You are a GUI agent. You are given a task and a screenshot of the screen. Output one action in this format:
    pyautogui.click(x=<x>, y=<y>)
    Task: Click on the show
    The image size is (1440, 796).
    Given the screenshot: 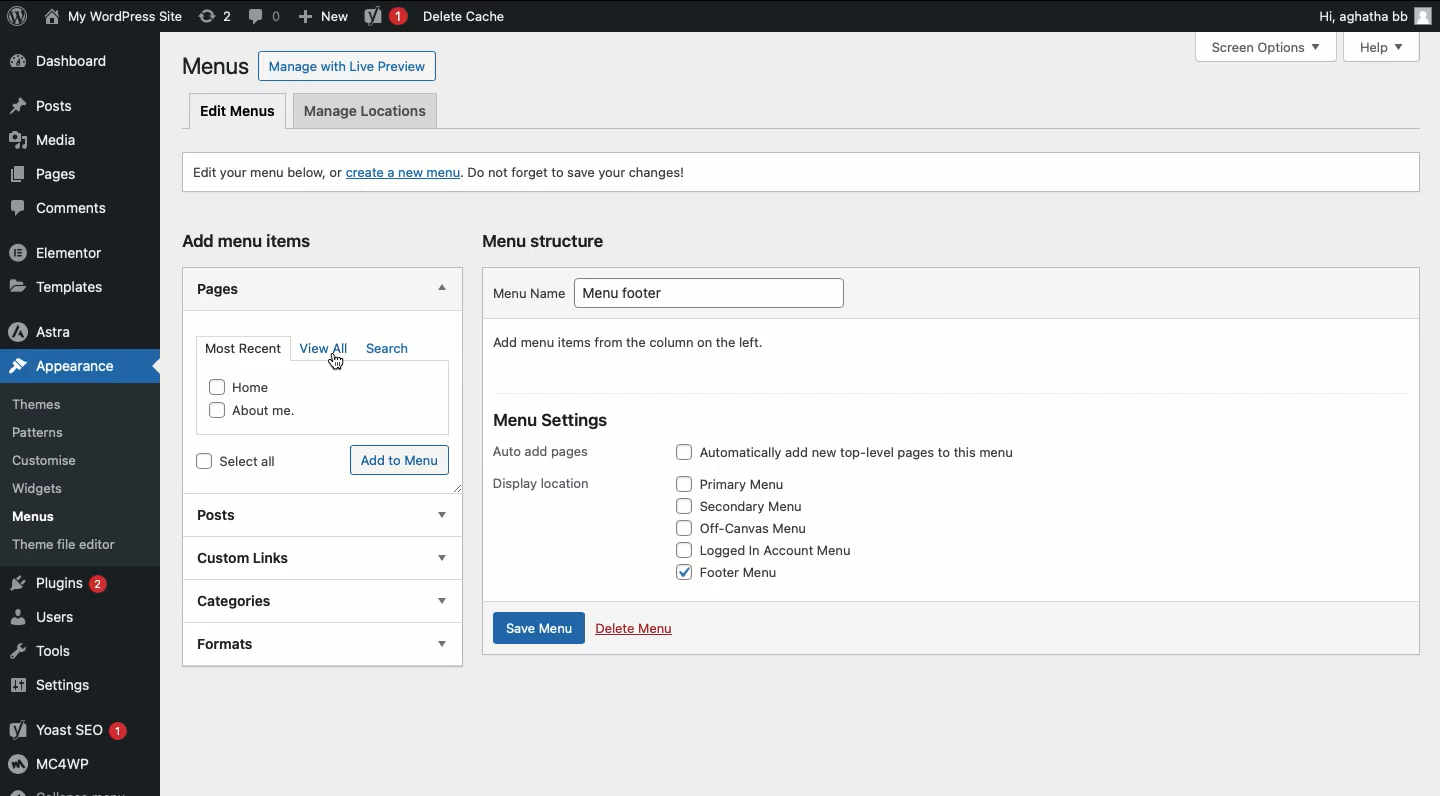 What is the action you would take?
    pyautogui.click(x=440, y=601)
    